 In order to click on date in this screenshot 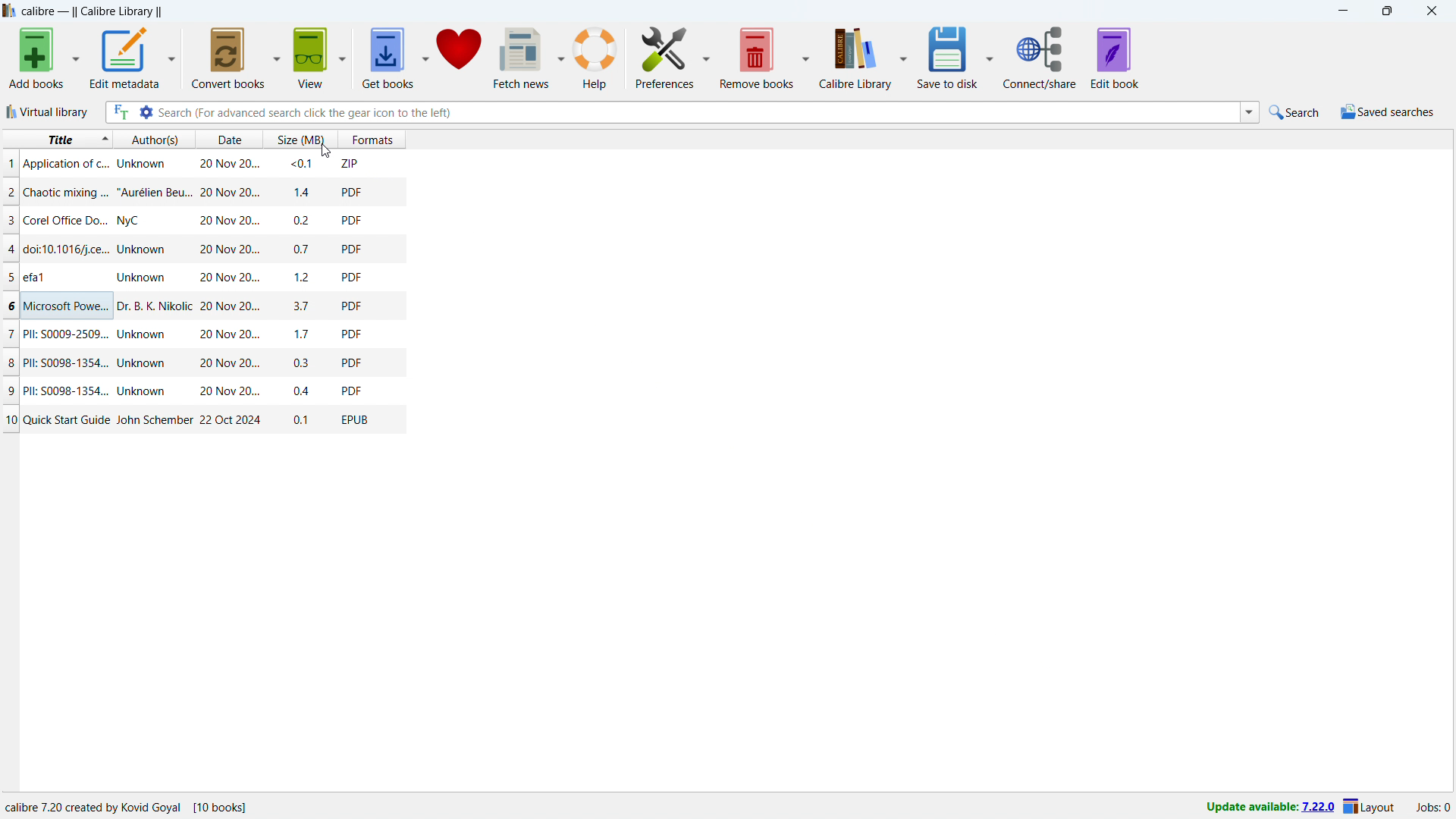, I will do `click(227, 193)`.